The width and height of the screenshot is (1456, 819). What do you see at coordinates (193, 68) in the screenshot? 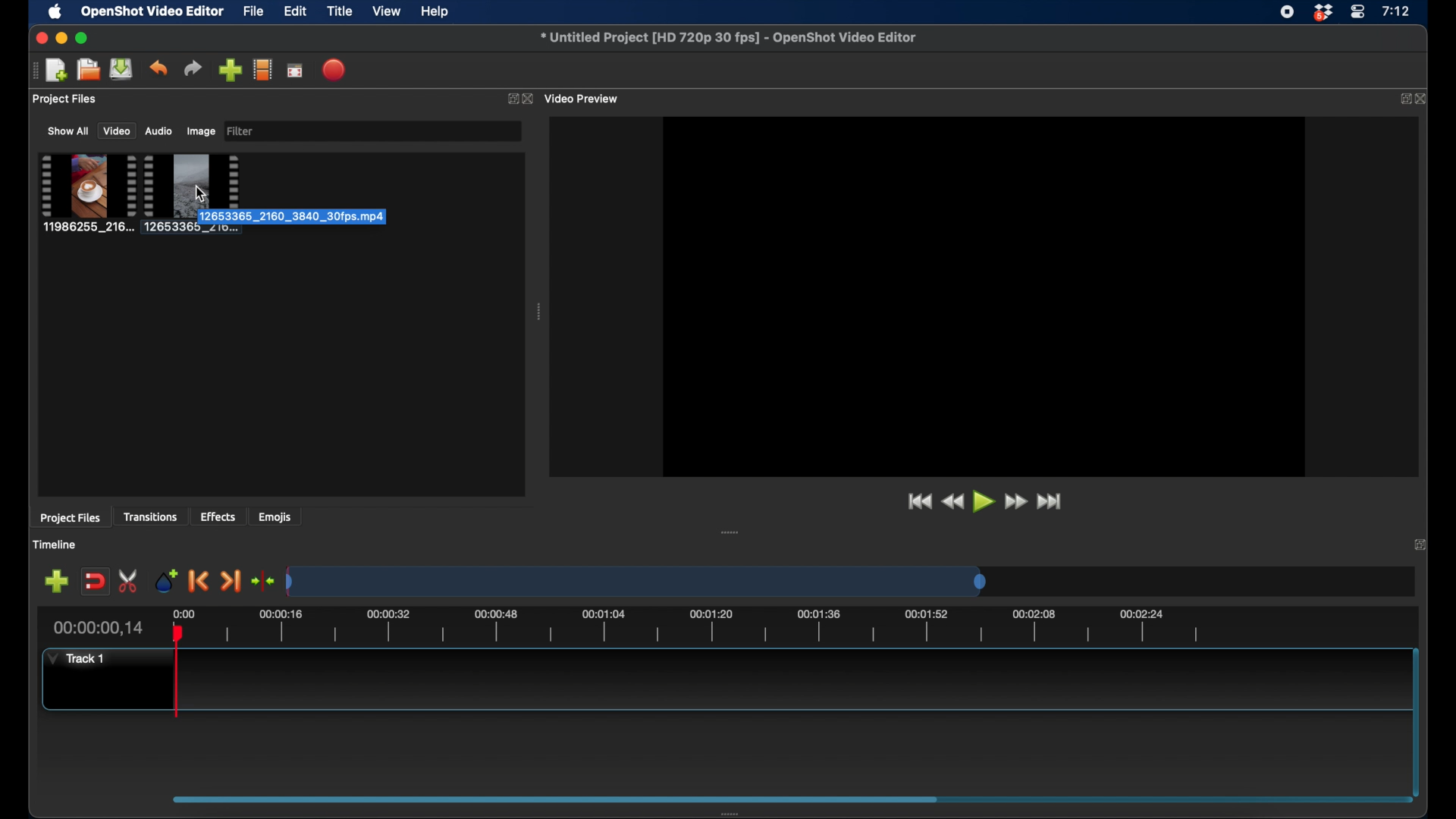
I see `redo` at bounding box center [193, 68].